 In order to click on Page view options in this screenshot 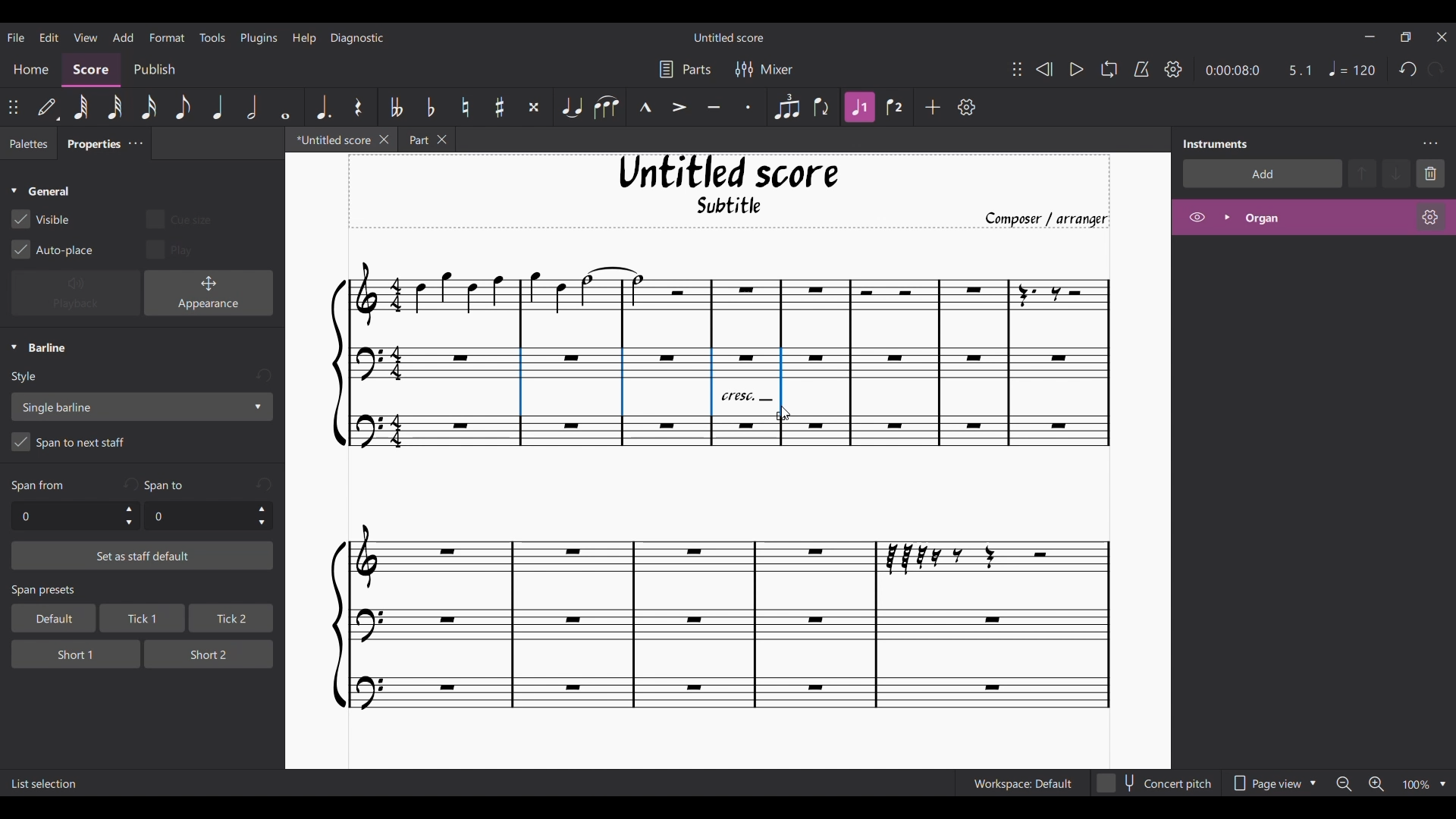, I will do `click(1271, 783)`.